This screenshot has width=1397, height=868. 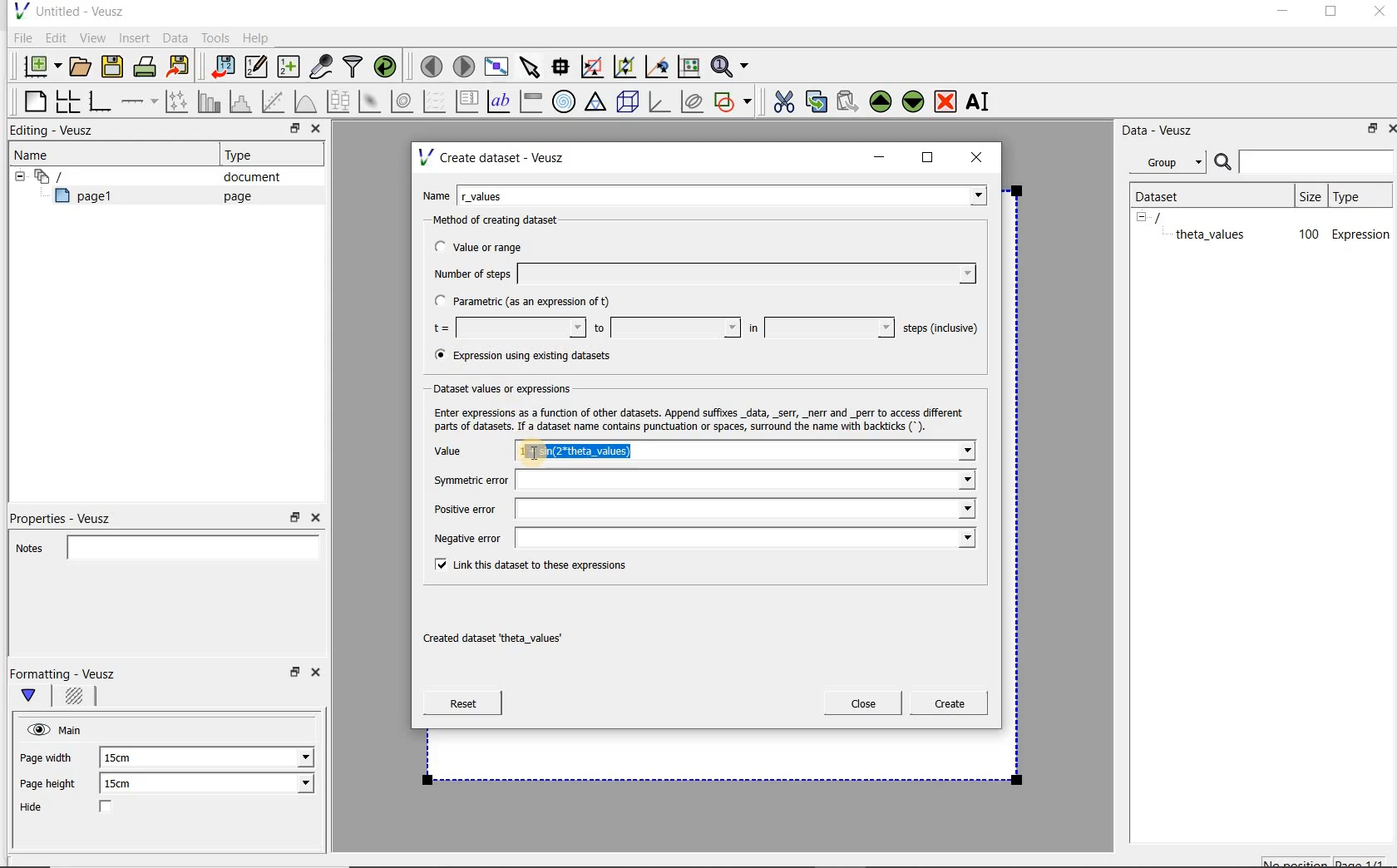 I want to click on plot a 2d dataset as an image, so click(x=372, y=102).